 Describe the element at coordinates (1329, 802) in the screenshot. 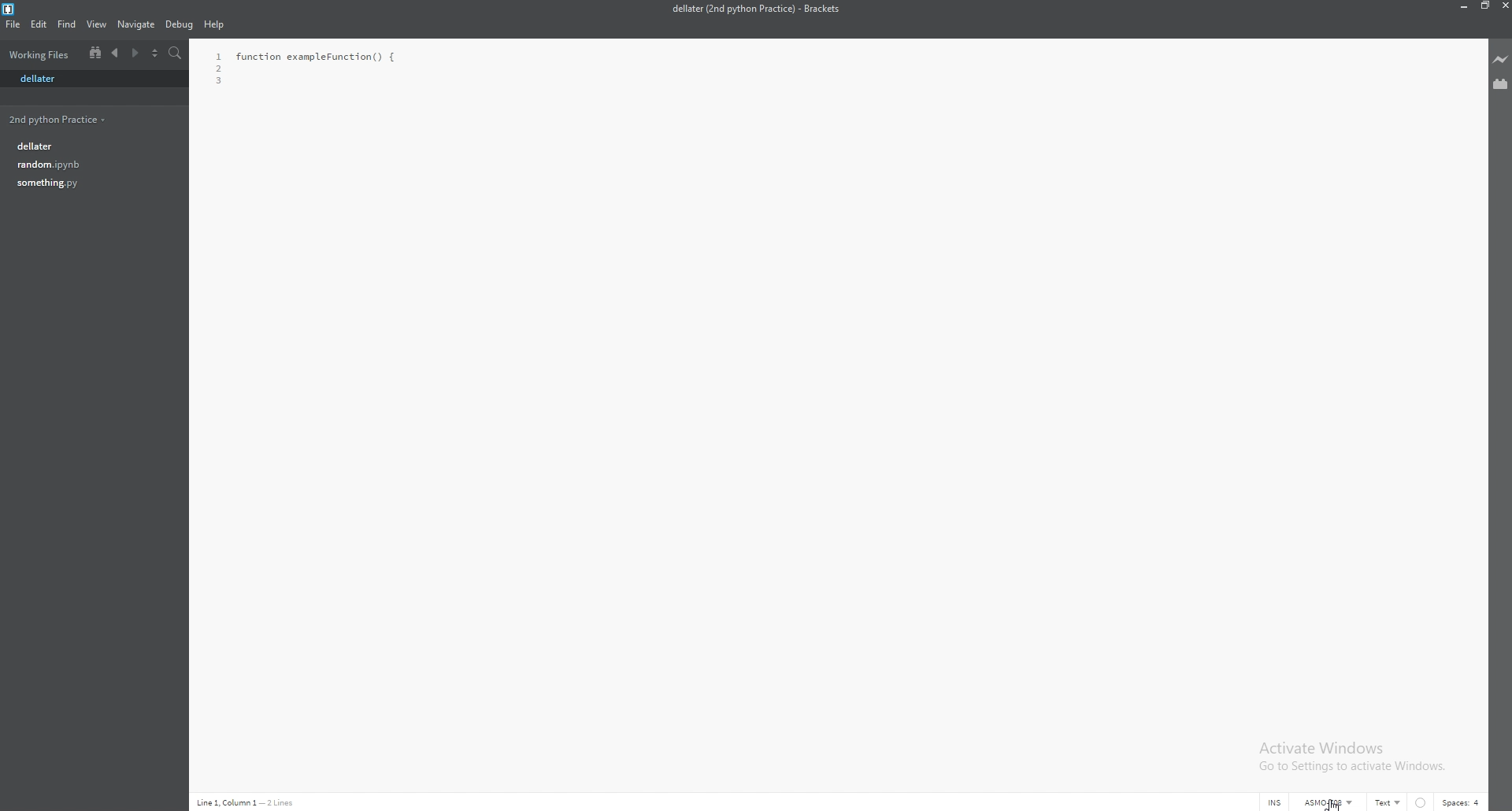

I see `ASMO-708` at that location.